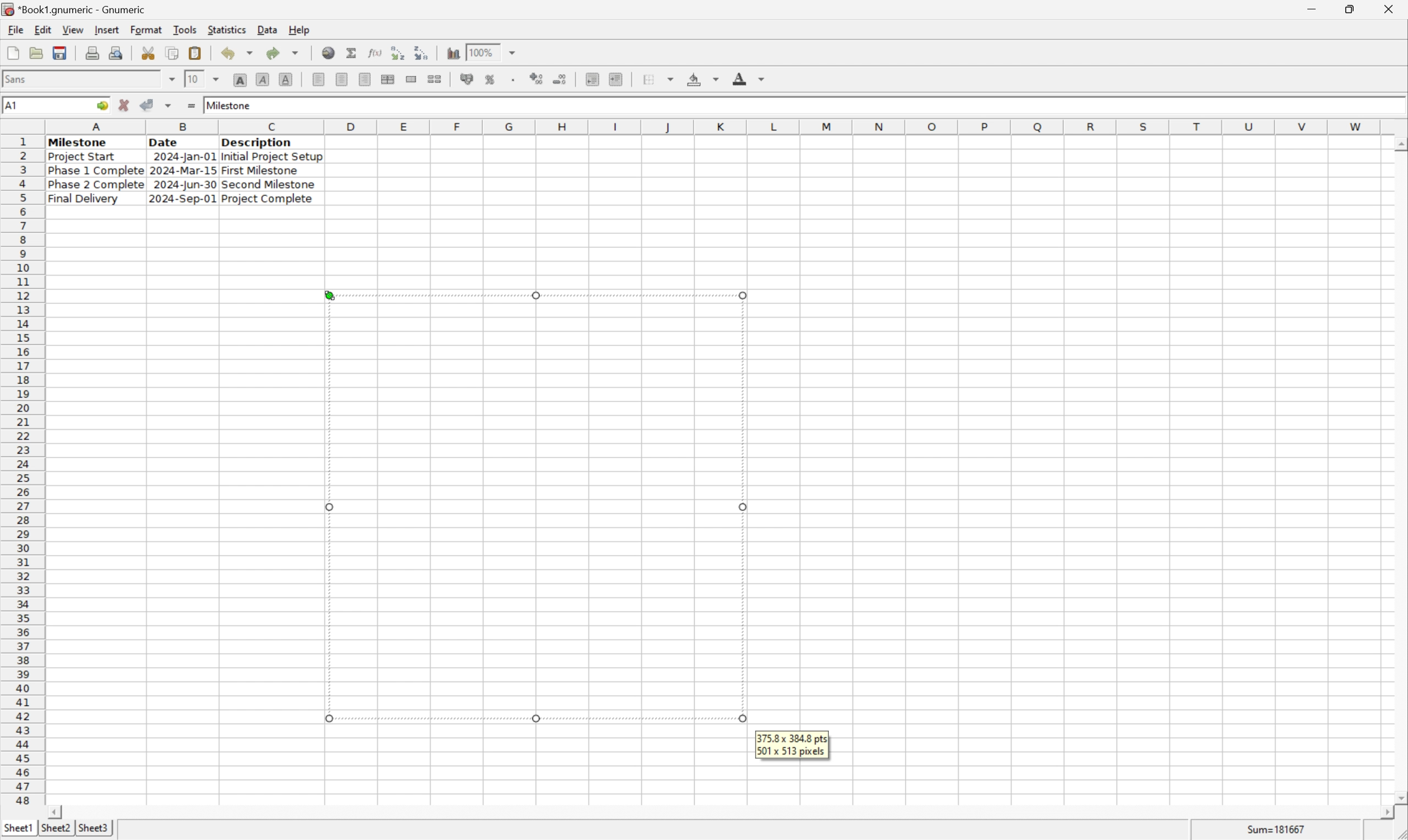 This screenshot has height=840, width=1408. I want to click on borders, so click(663, 79).